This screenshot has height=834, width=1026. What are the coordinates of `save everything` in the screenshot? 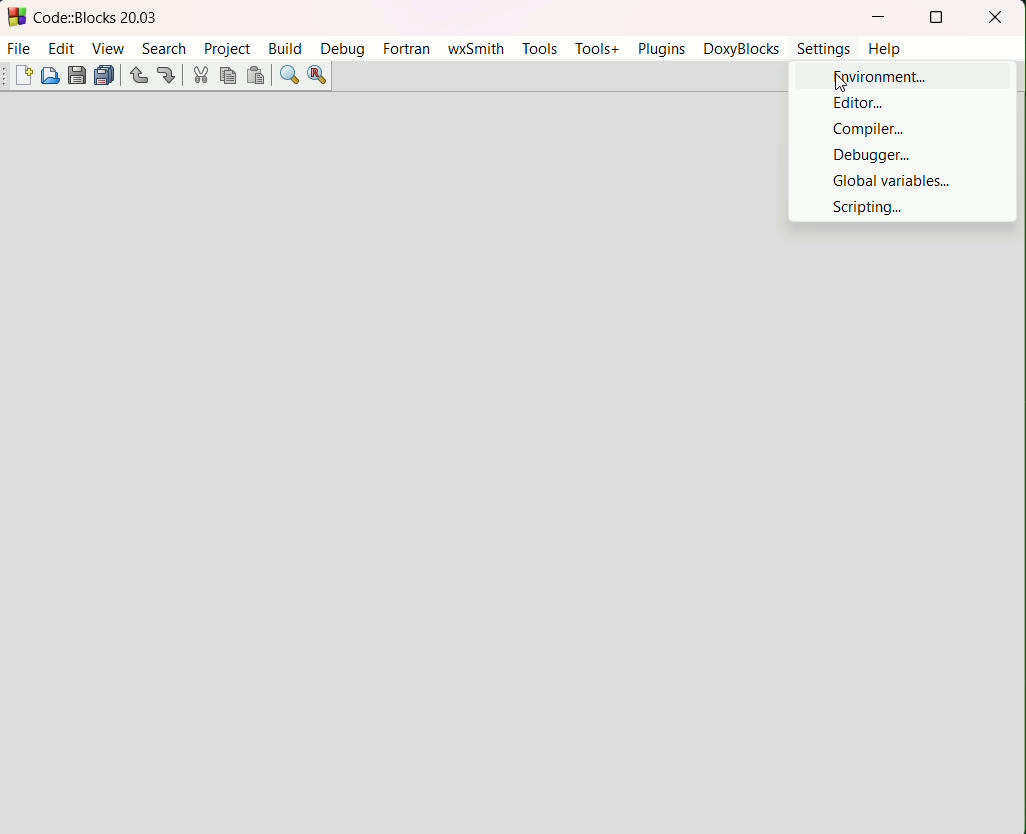 It's located at (105, 75).